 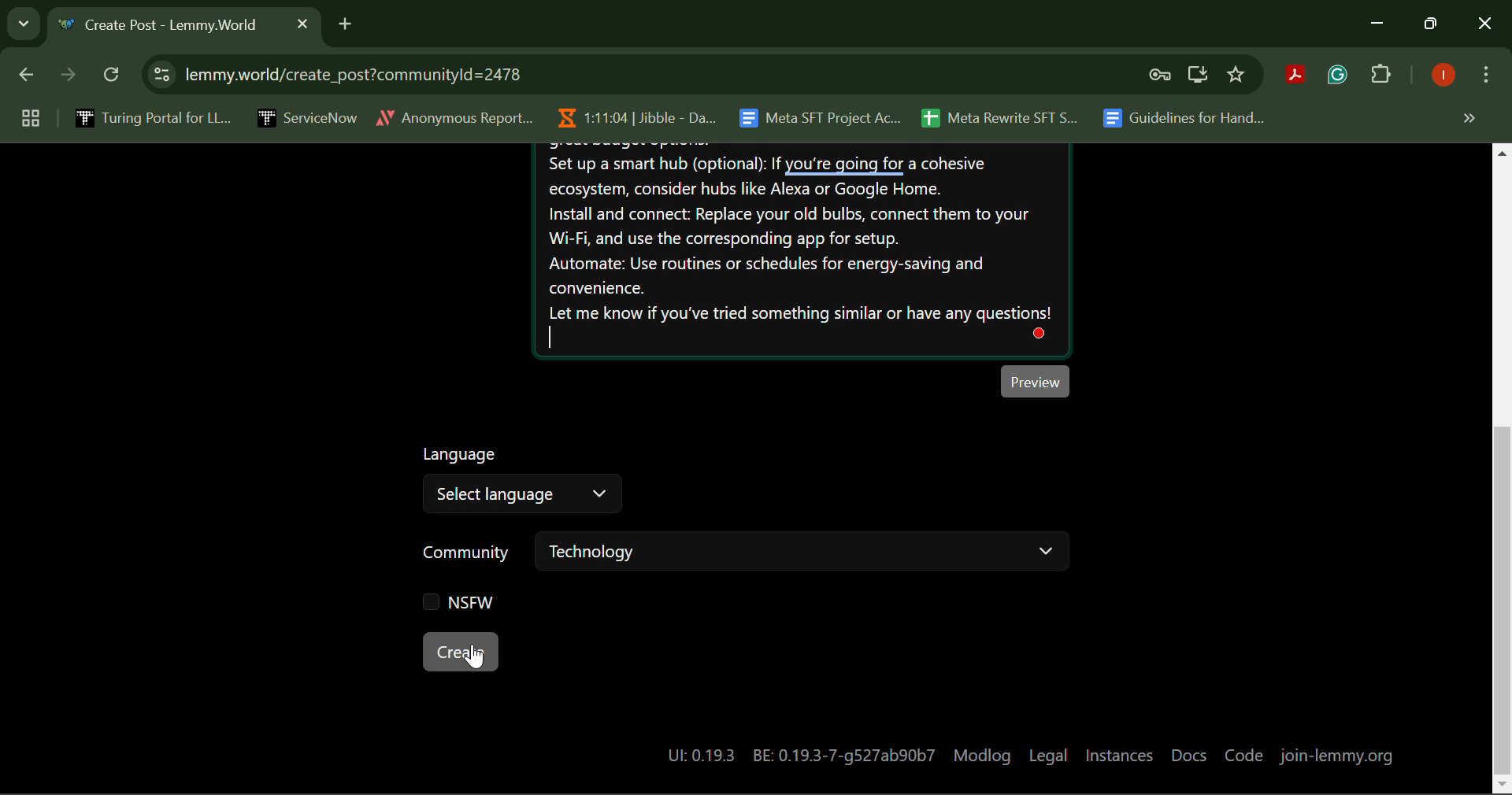 I want to click on Group Tabs, so click(x=30, y=117).